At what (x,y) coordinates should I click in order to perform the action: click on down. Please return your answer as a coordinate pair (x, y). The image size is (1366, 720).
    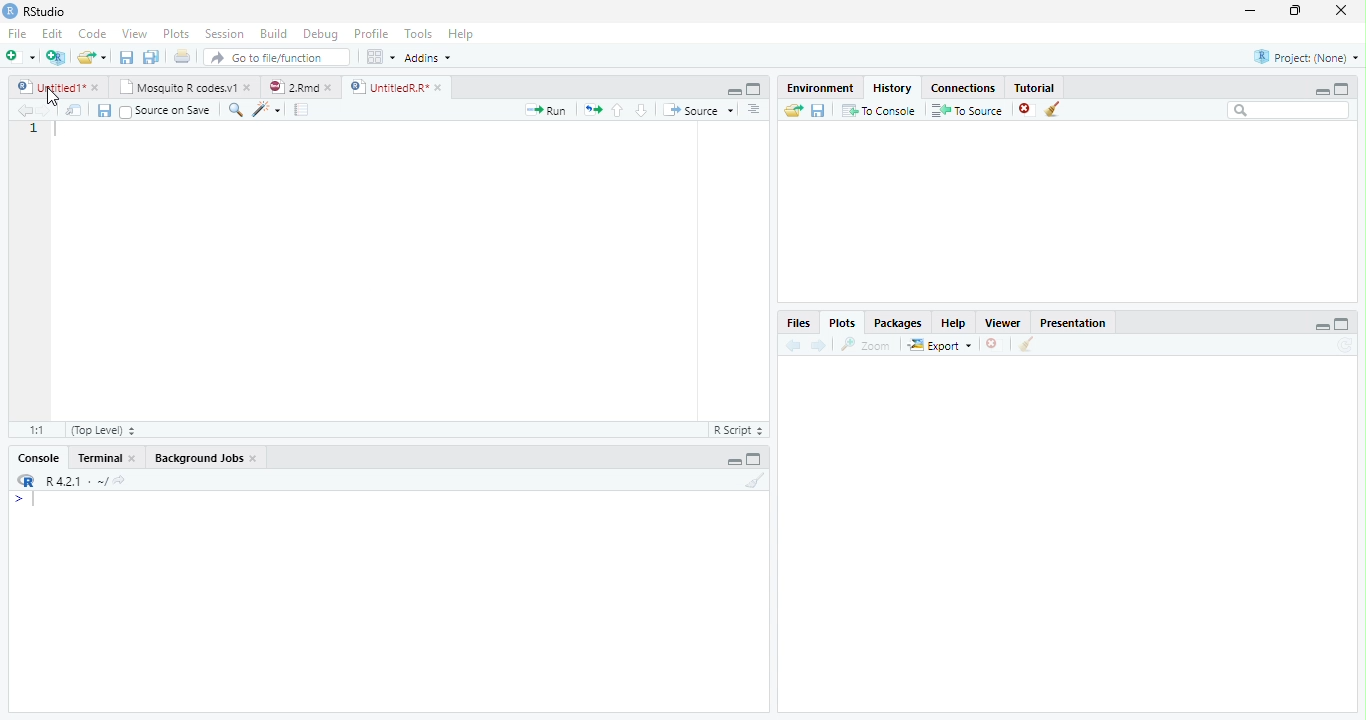
    Looking at the image, I should click on (641, 110).